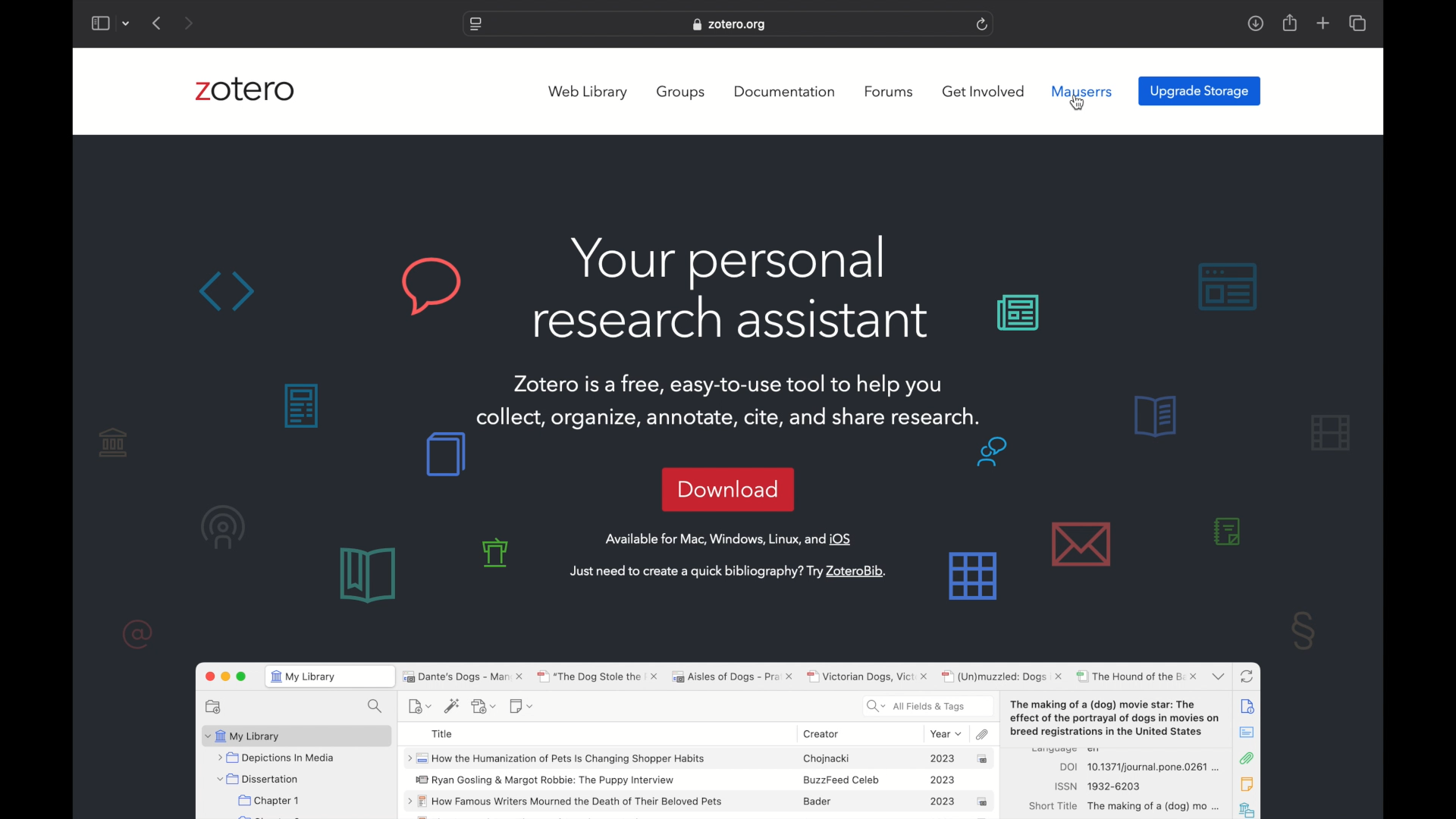 The width and height of the screenshot is (1456, 819). What do you see at coordinates (474, 25) in the screenshot?
I see `website settings` at bounding box center [474, 25].